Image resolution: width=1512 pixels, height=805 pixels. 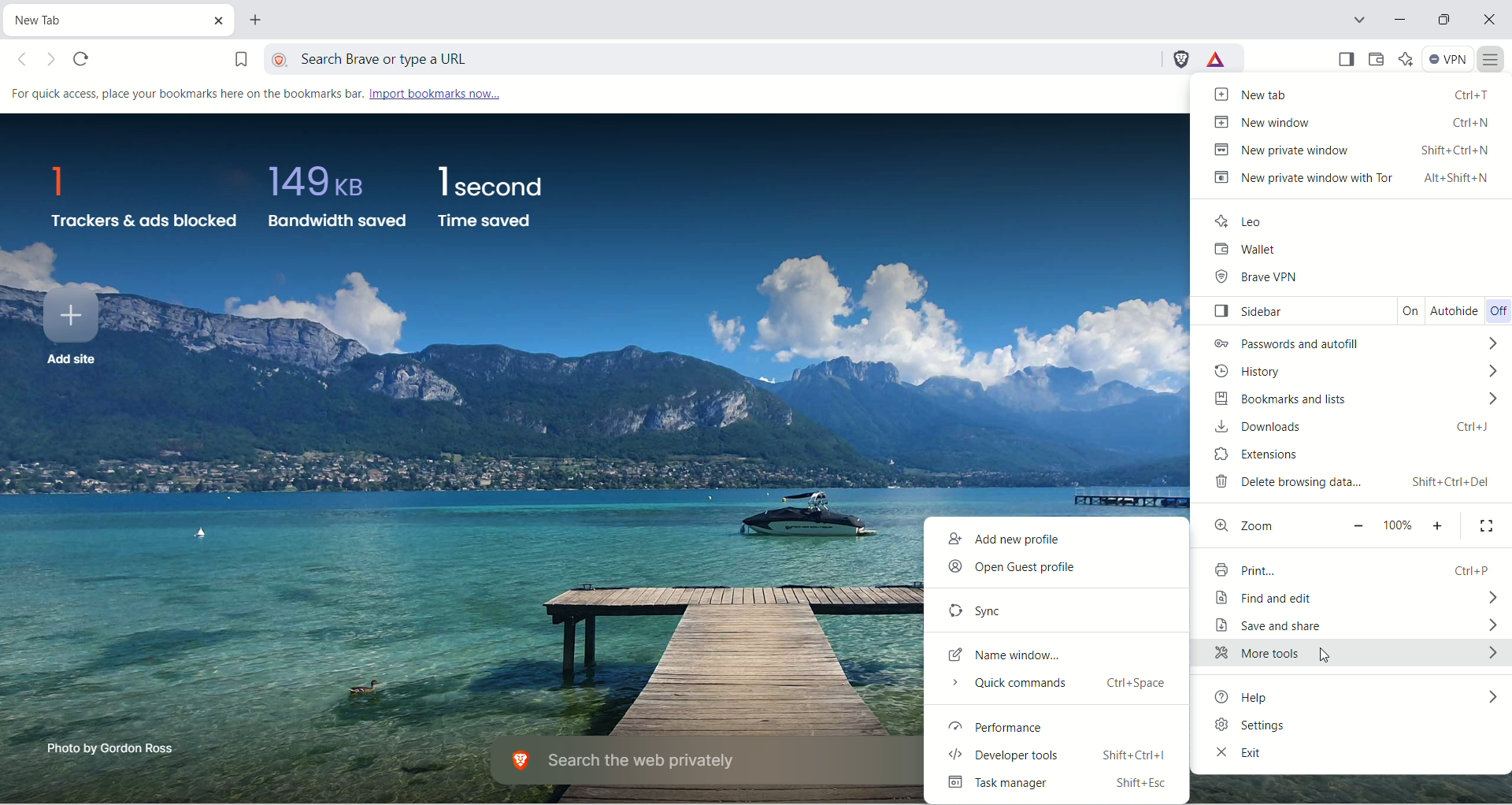 What do you see at coordinates (69, 331) in the screenshot?
I see `add site` at bounding box center [69, 331].